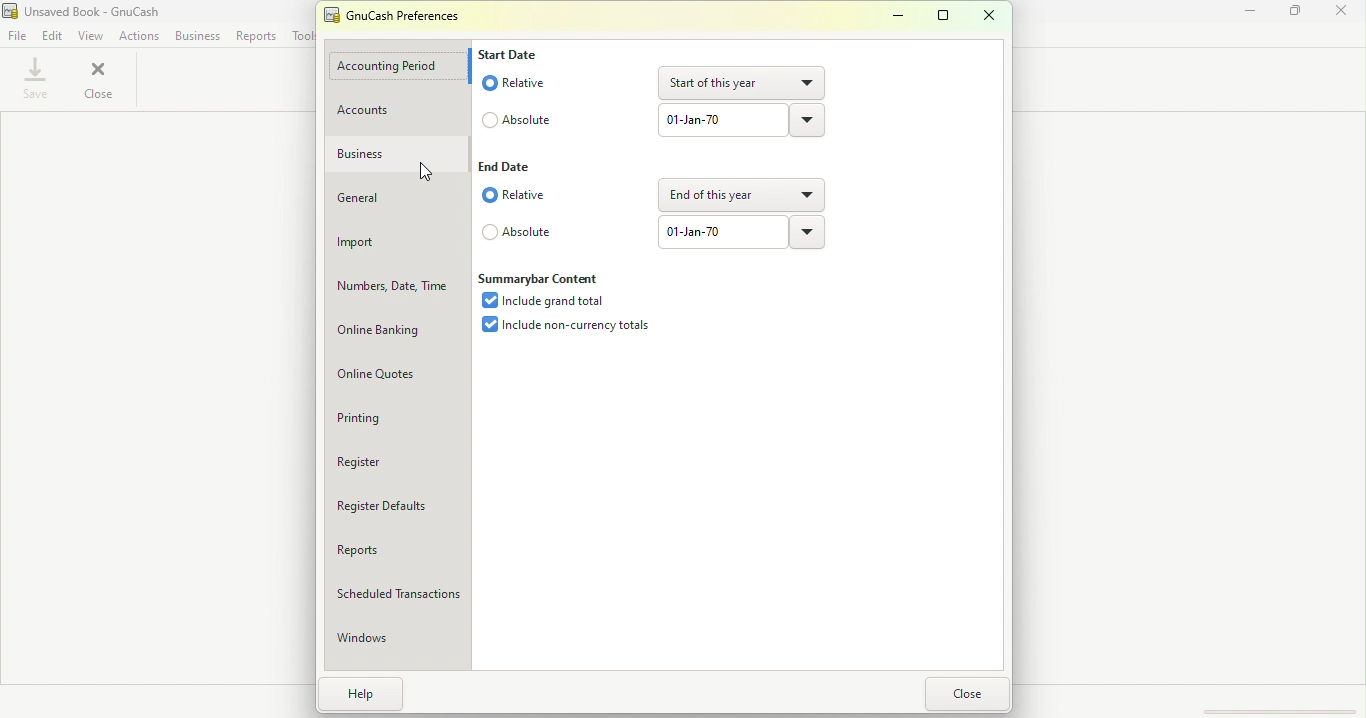  What do you see at coordinates (398, 155) in the screenshot?
I see `Business` at bounding box center [398, 155].